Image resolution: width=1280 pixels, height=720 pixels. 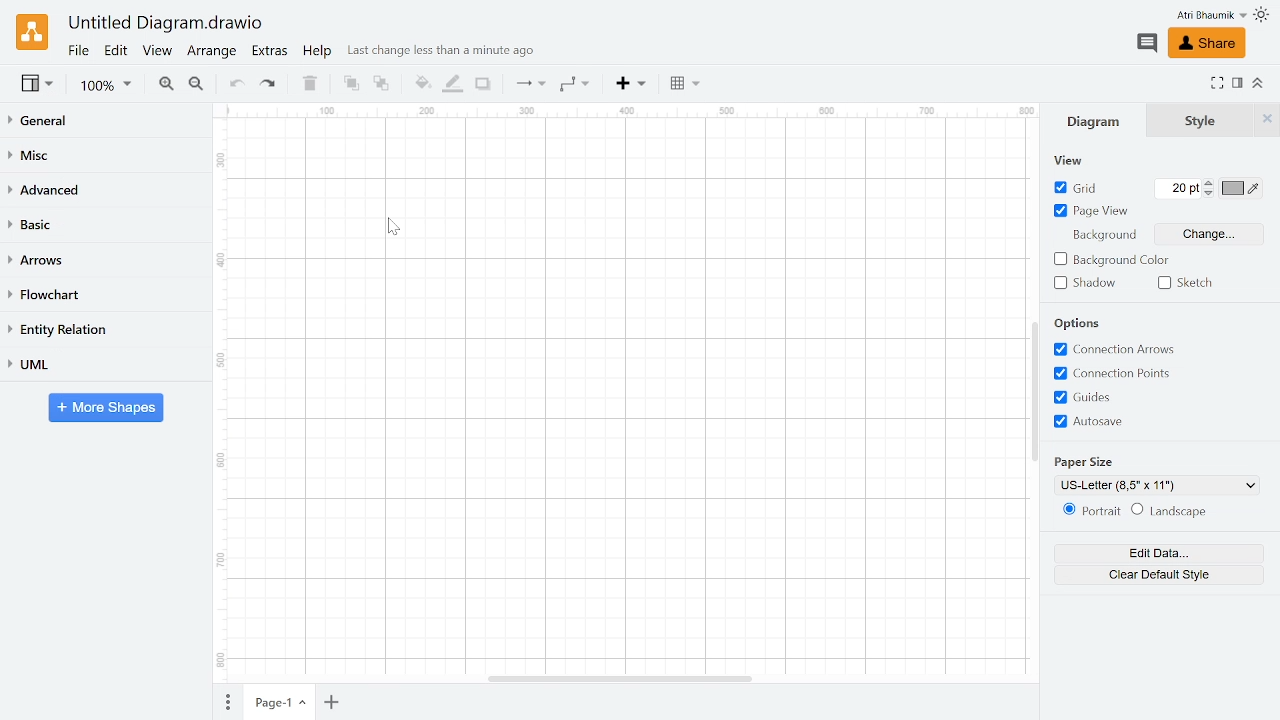 I want to click on Share, so click(x=1208, y=43).